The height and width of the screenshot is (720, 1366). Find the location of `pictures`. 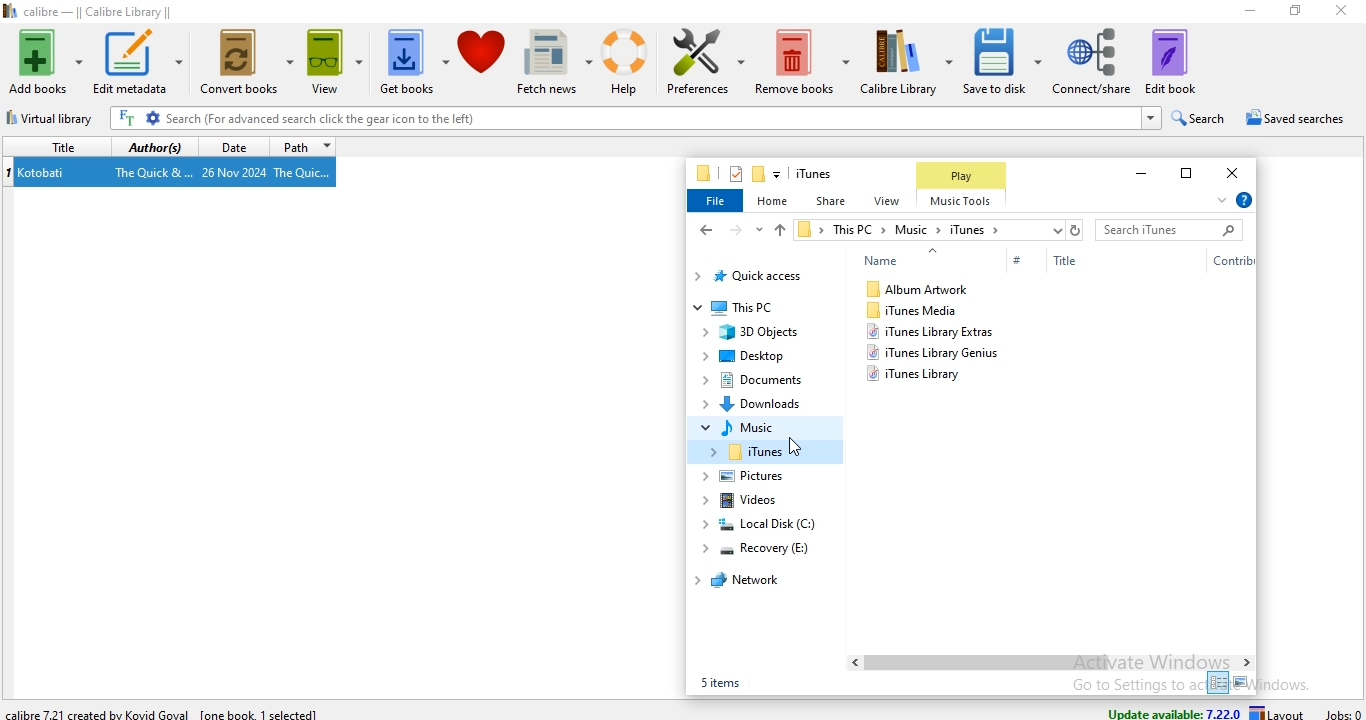

pictures is located at coordinates (748, 476).